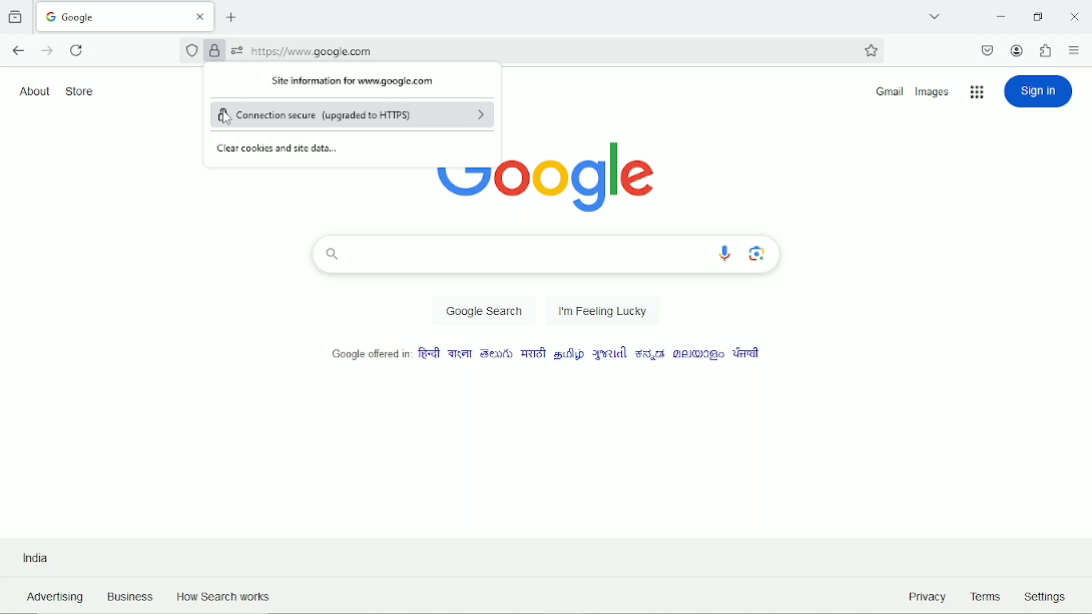  Describe the element at coordinates (234, 50) in the screenshot. I see `You have granted this website additional permissions` at that location.